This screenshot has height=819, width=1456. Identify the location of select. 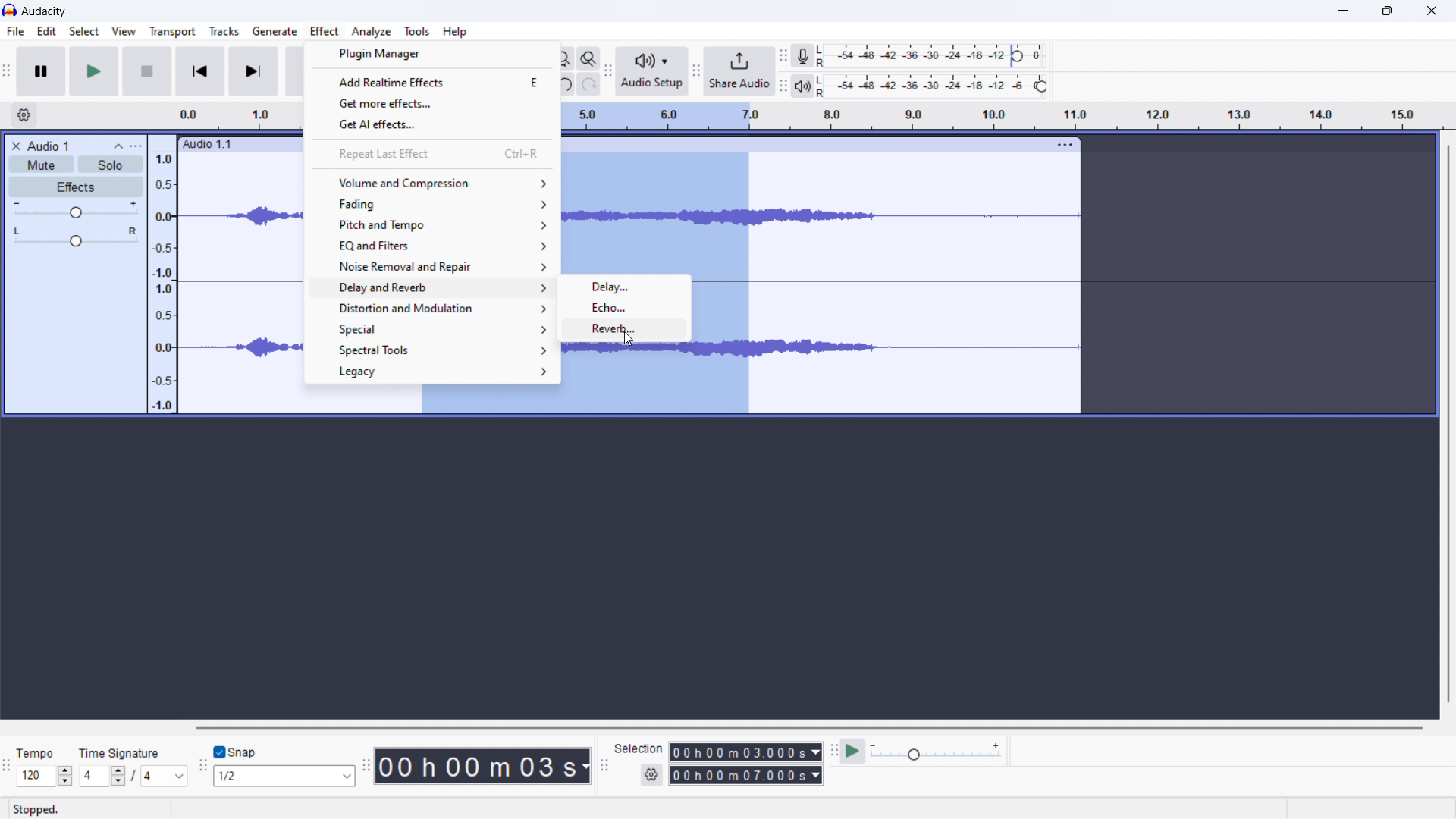
(83, 31).